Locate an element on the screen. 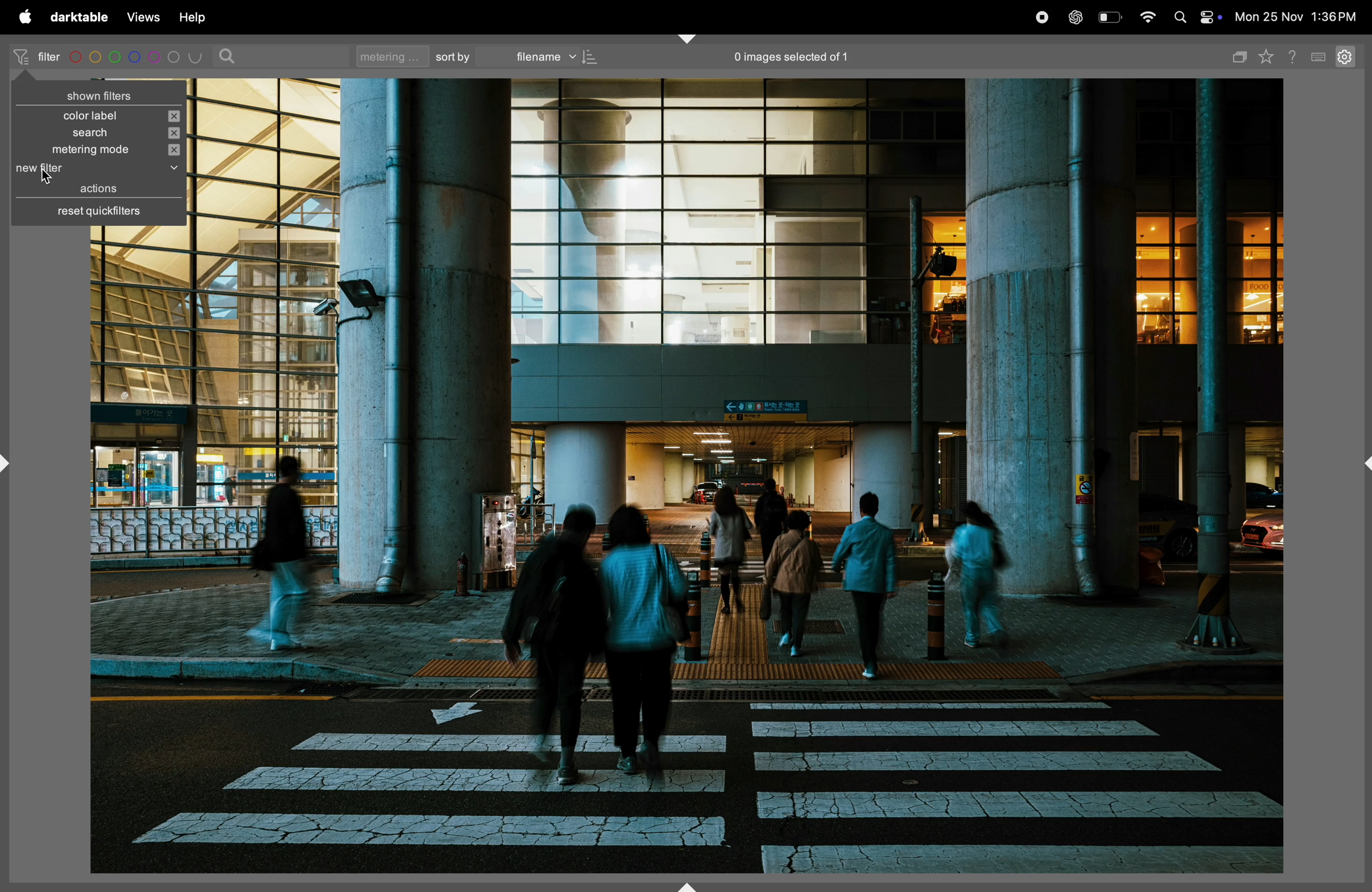 Image resolution: width=1372 pixels, height=892 pixels. keyboard is located at coordinates (1320, 55).